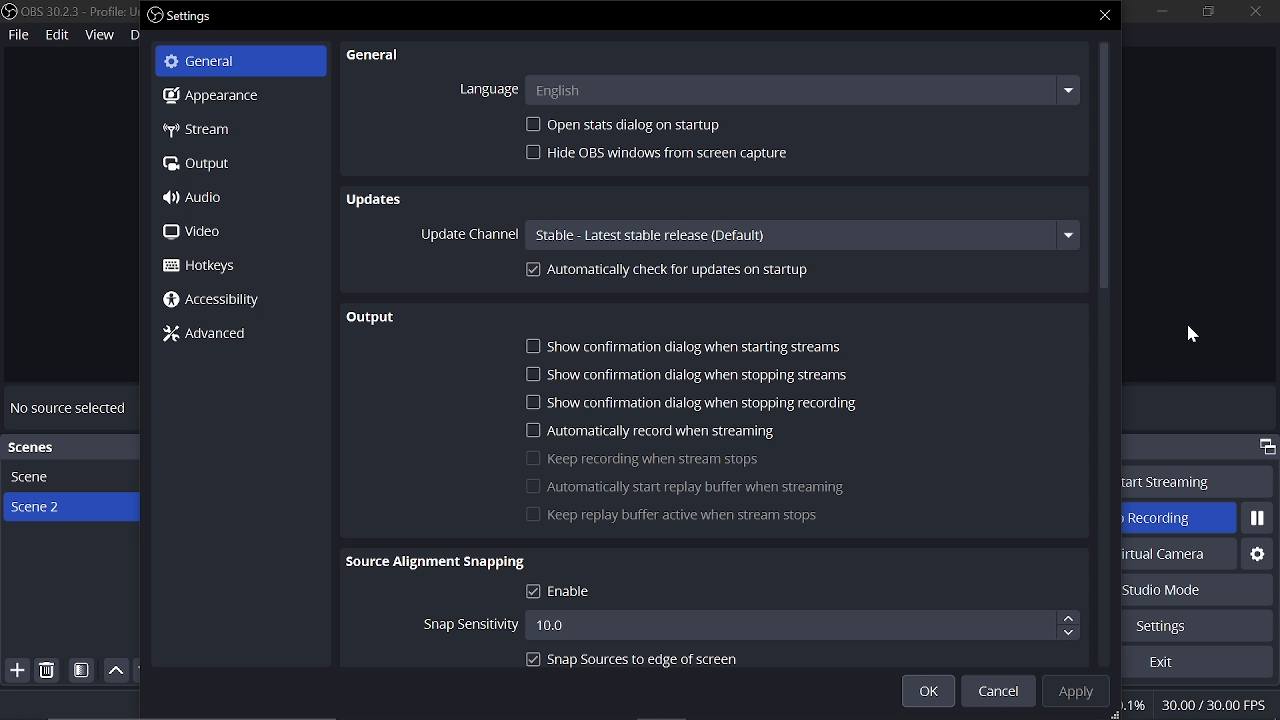  Describe the element at coordinates (802, 624) in the screenshot. I see `10.0` at that location.